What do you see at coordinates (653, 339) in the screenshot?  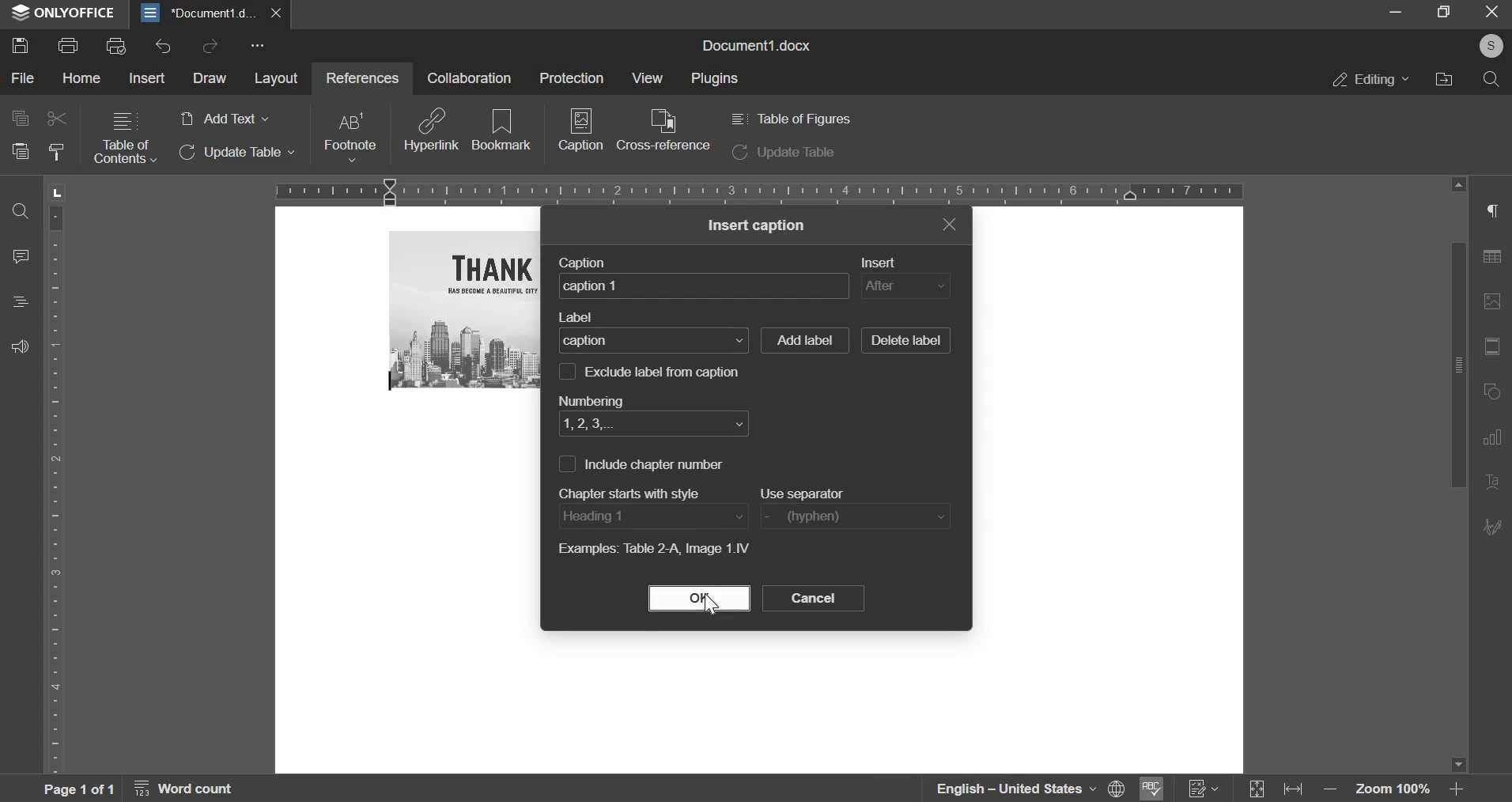 I see `label` at bounding box center [653, 339].